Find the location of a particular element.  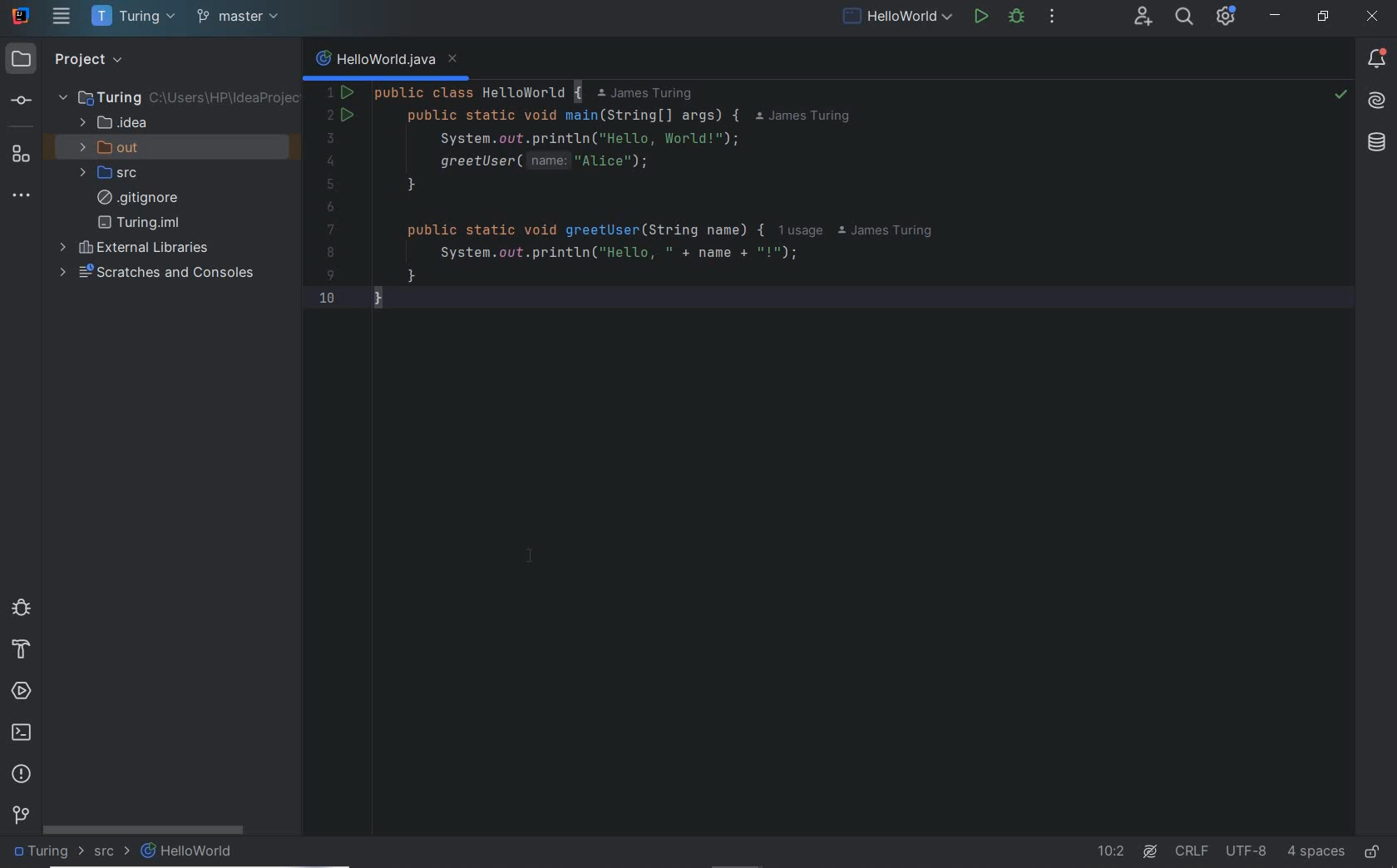

terminal is located at coordinates (23, 733).